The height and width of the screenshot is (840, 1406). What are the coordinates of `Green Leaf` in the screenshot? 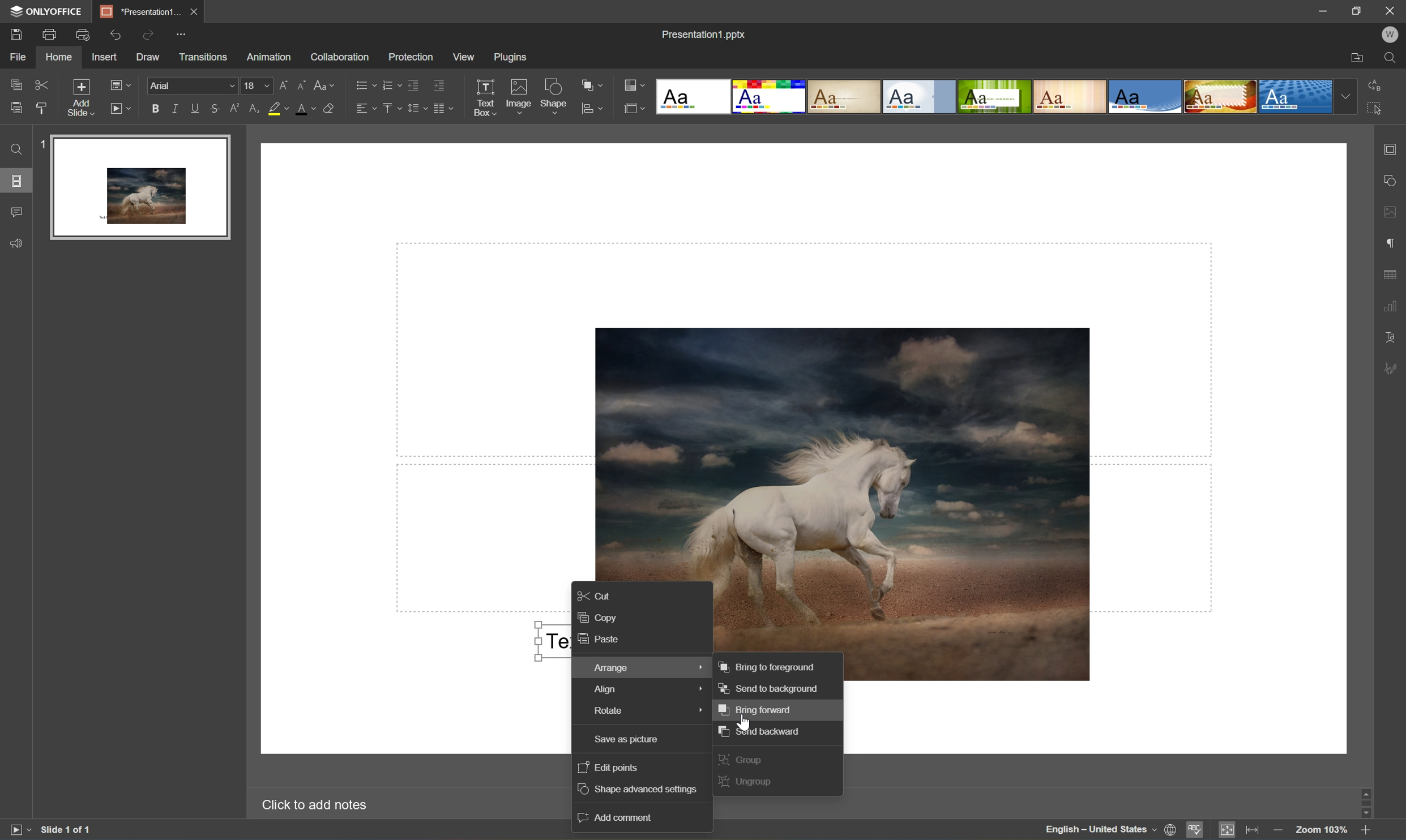 It's located at (994, 97).